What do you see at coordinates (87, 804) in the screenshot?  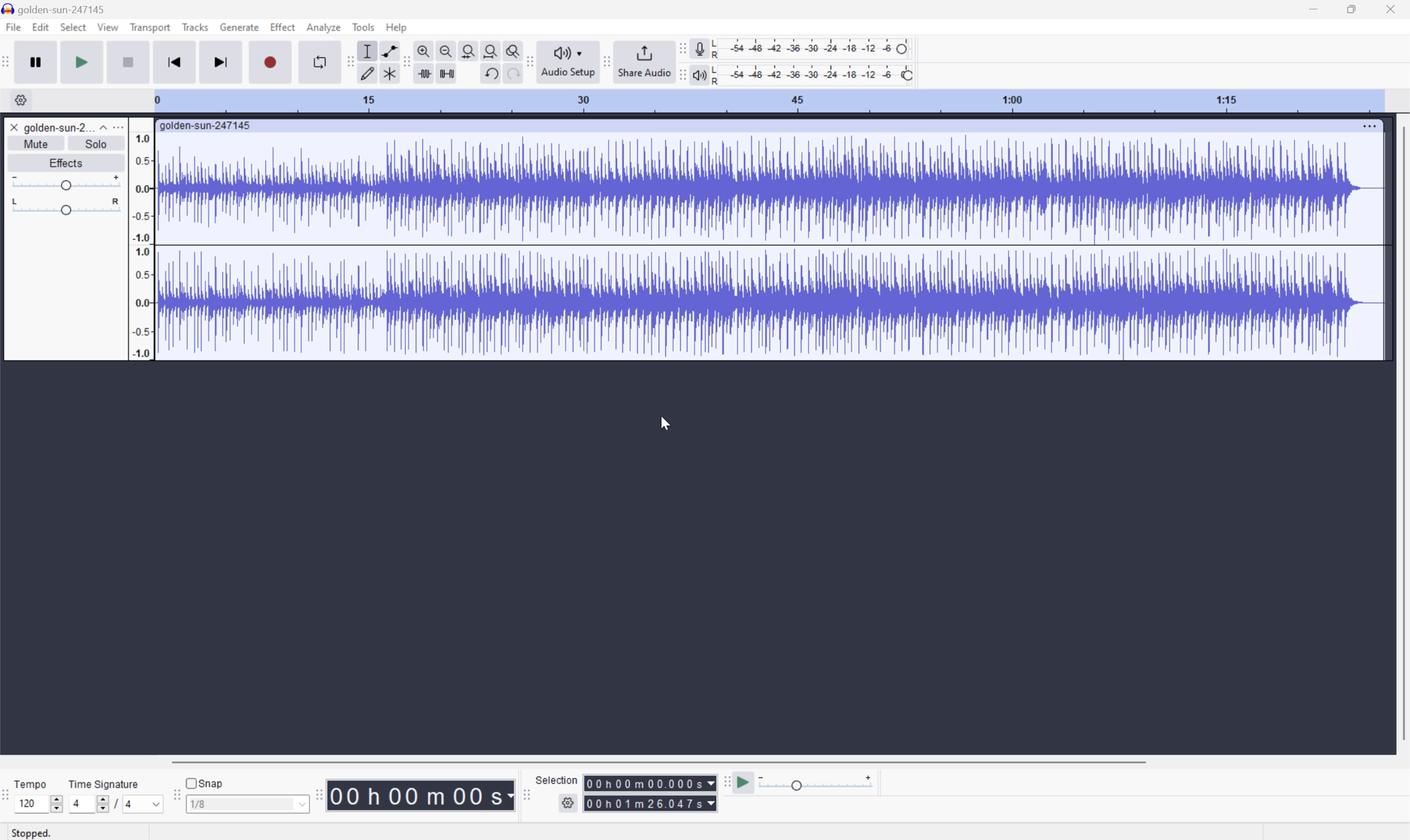 I see `4` at bounding box center [87, 804].